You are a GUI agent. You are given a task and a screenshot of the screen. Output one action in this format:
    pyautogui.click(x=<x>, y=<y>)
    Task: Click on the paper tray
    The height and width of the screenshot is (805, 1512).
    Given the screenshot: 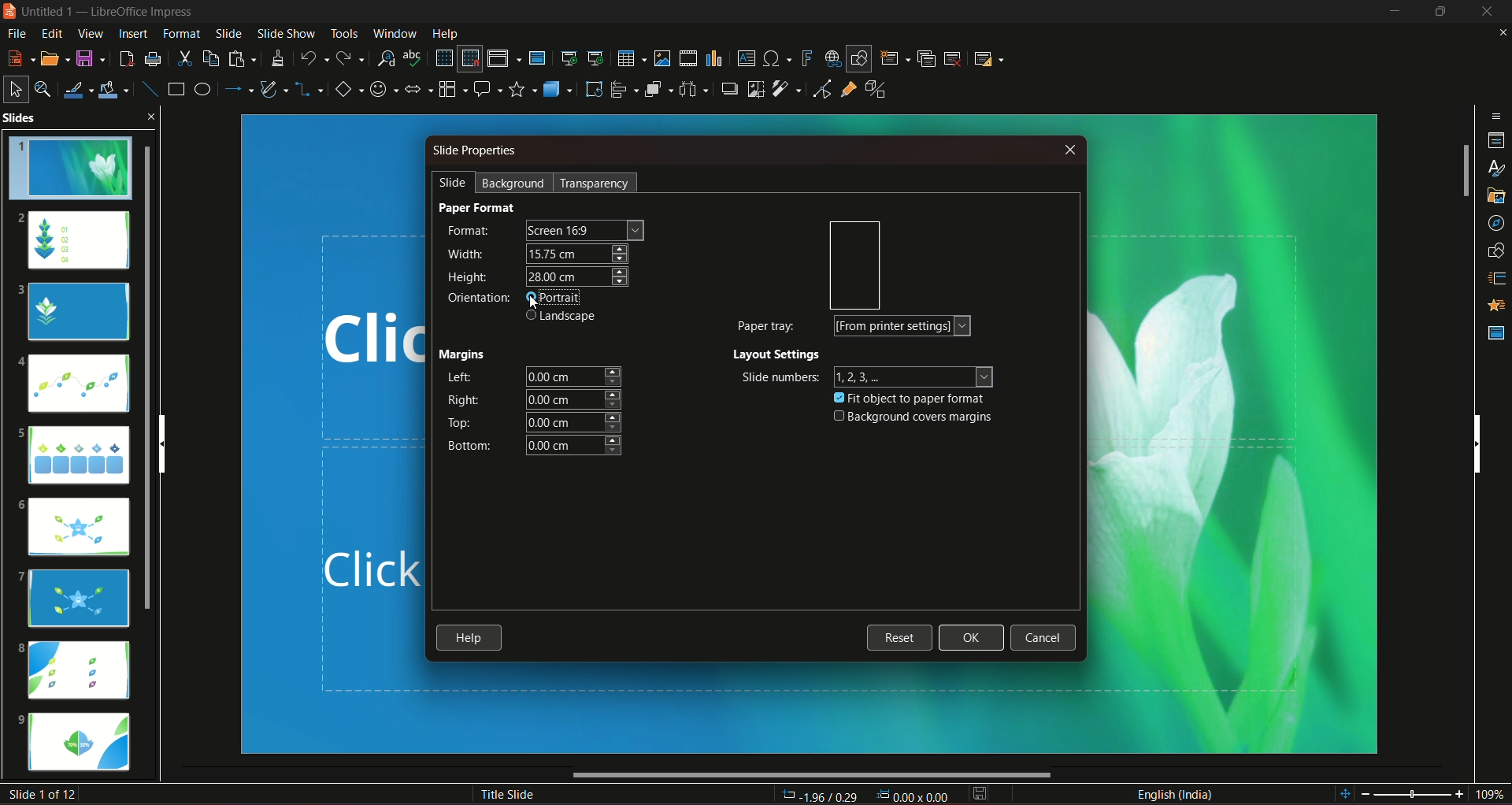 What is the action you would take?
    pyautogui.click(x=765, y=325)
    